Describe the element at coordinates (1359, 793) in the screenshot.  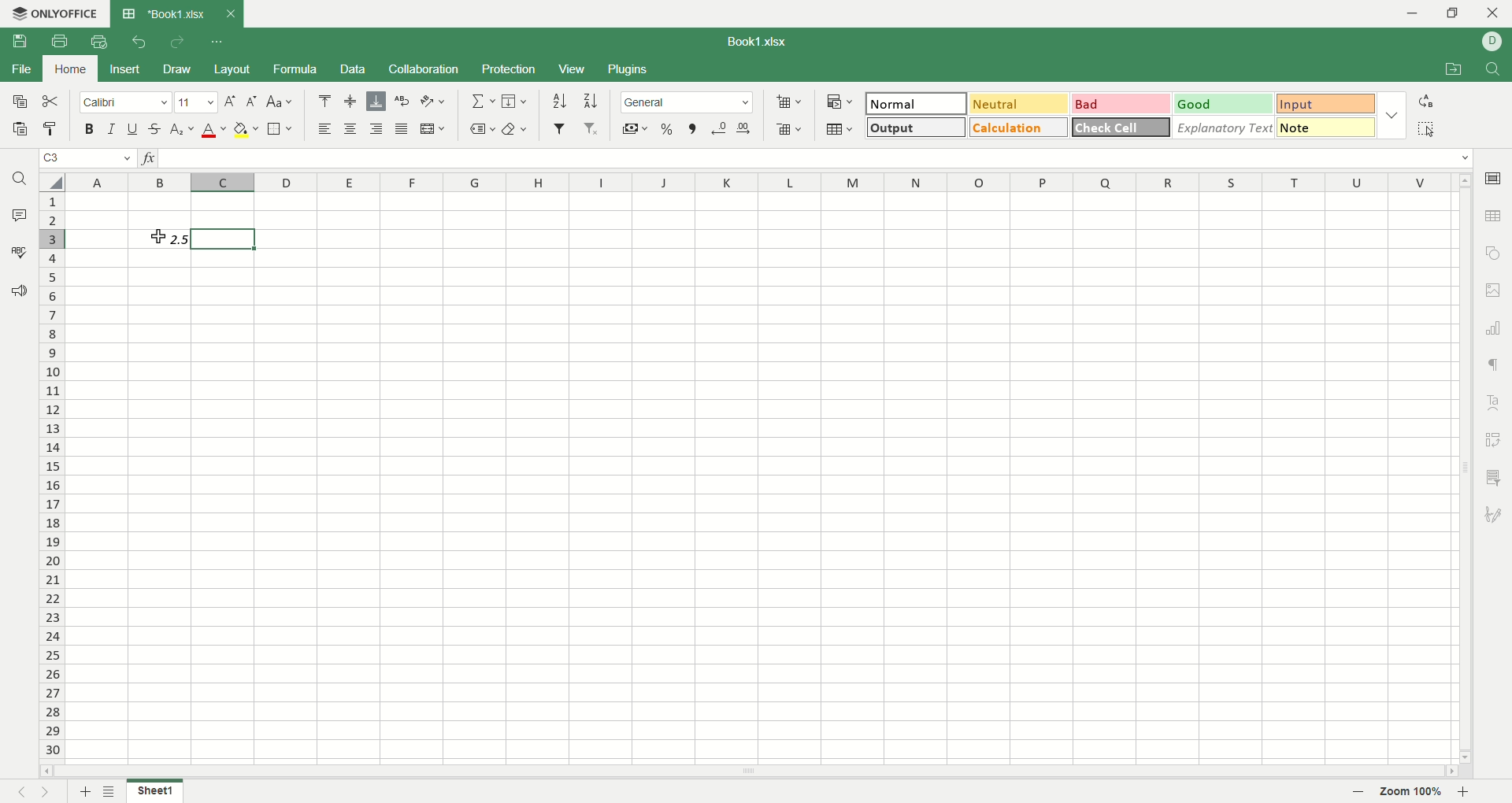
I see `Zoom out` at that location.